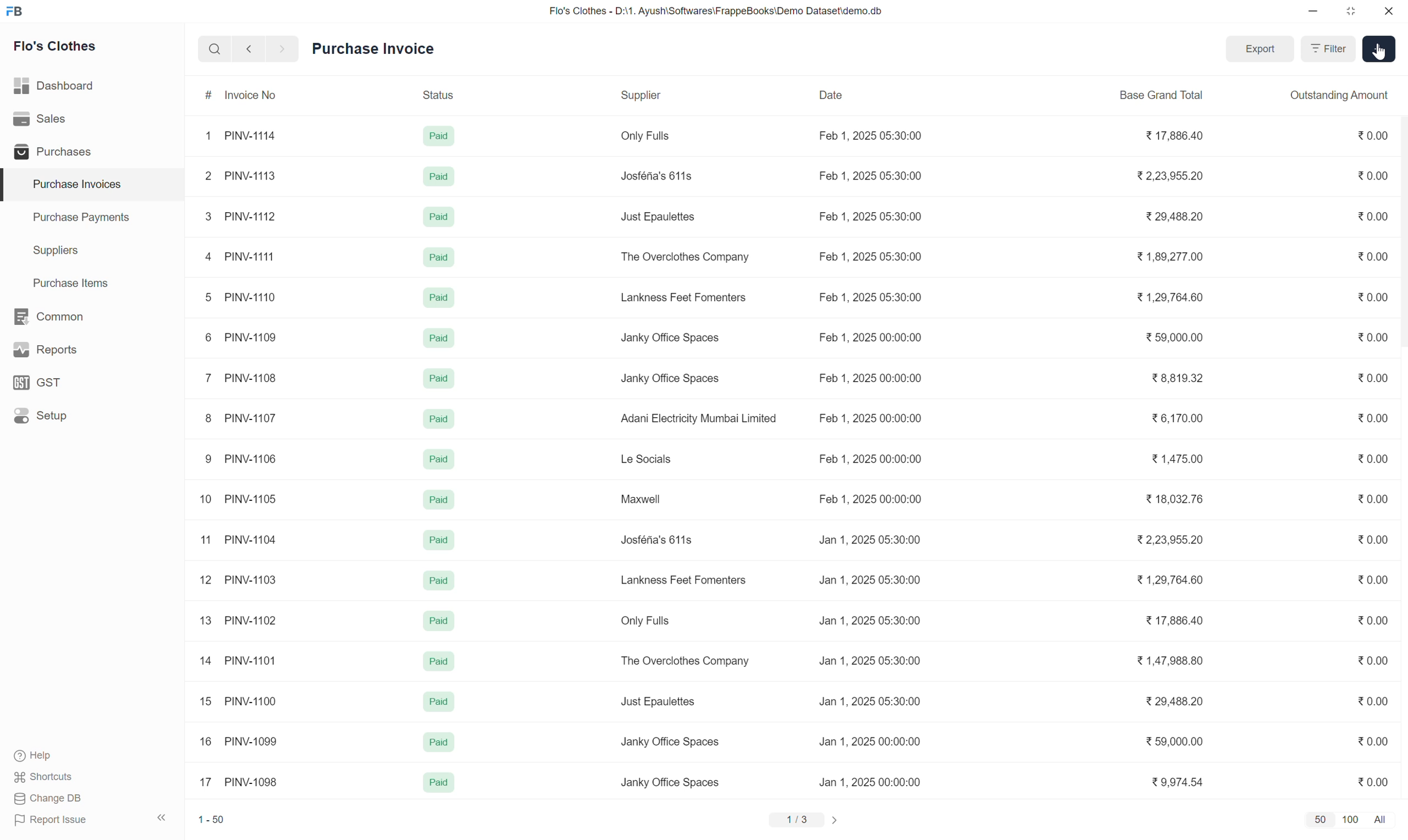 This screenshot has height=840, width=1408. Describe the element at coordinates (239, 338) in the screenshot. I see `6 PINV-1109` at that location.